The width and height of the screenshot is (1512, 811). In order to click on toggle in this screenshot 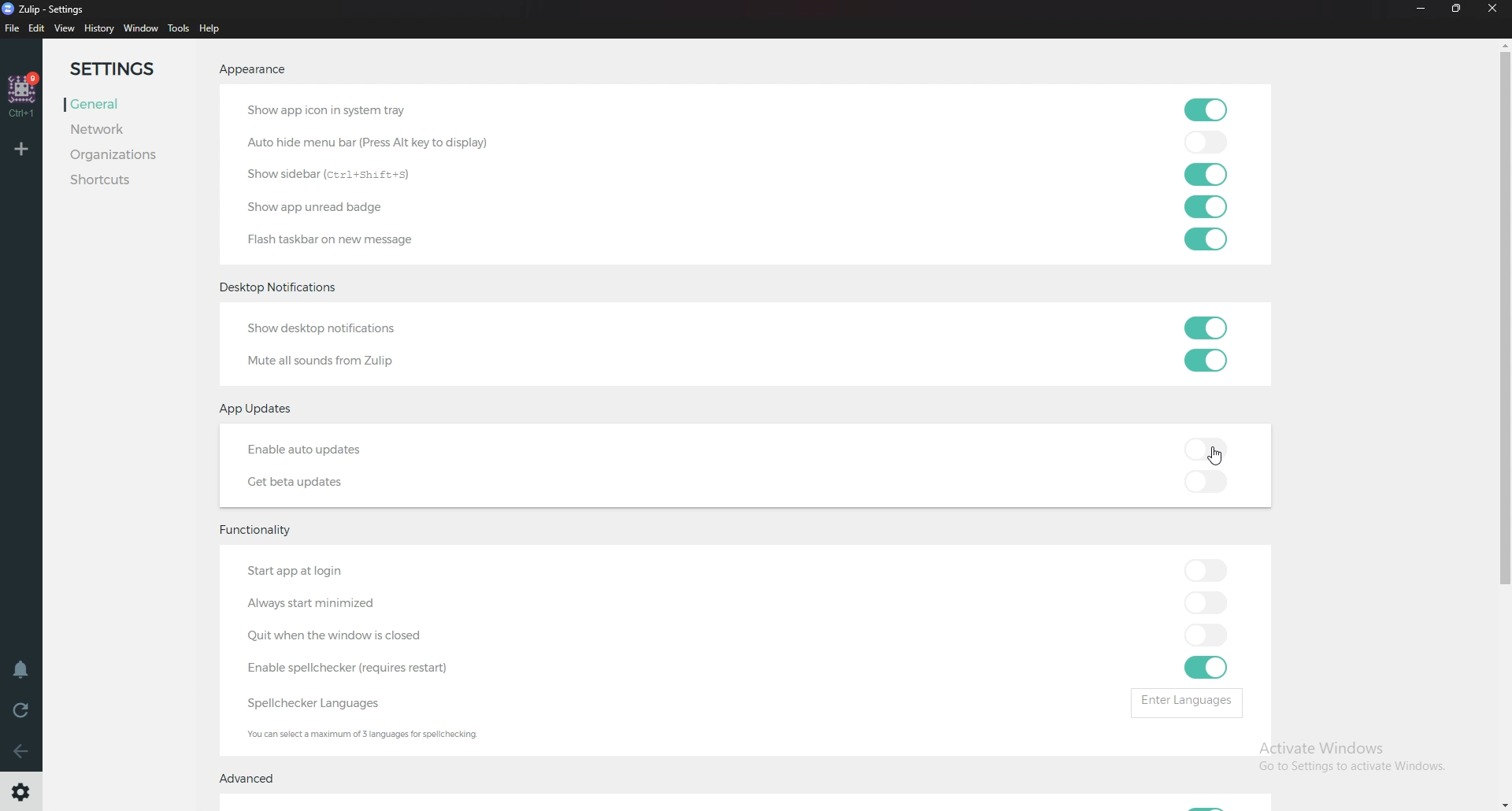, I will do `click(1203, 447)`.